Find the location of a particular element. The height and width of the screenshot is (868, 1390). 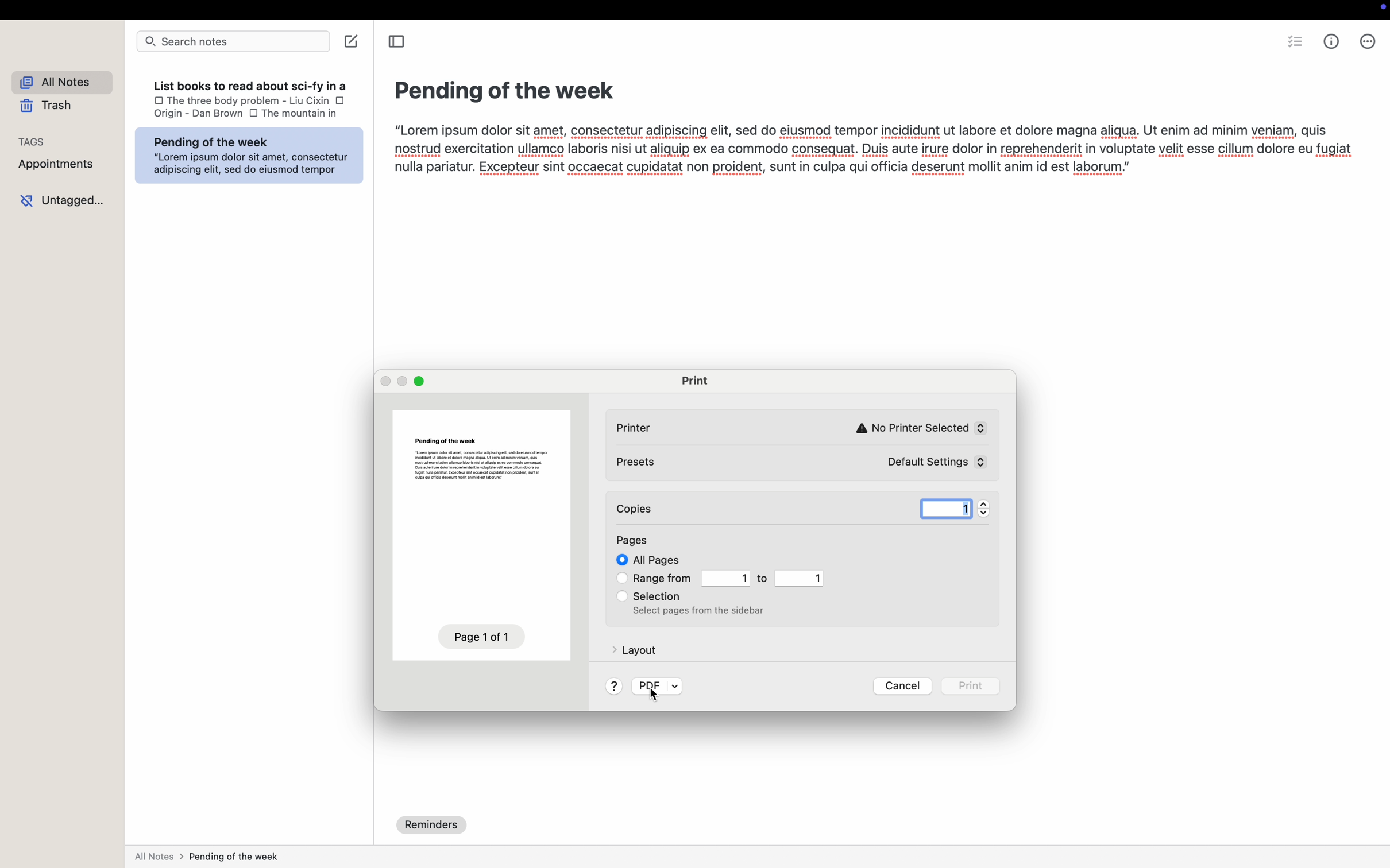

enable checkbox is located at coordinates (617, 561).